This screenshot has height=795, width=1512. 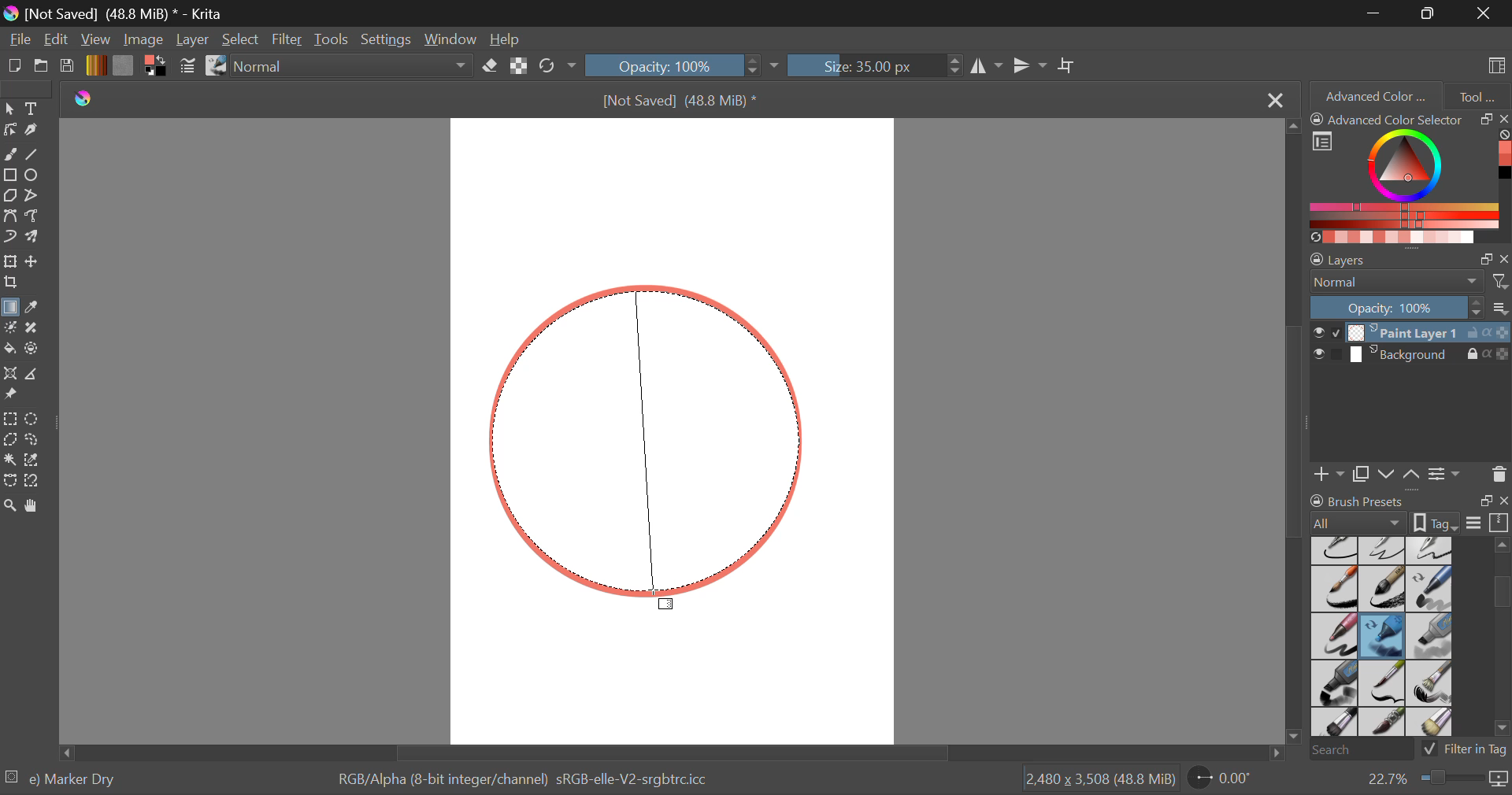 I want to click on Marker Smooth, so click(x=1334, y=636).